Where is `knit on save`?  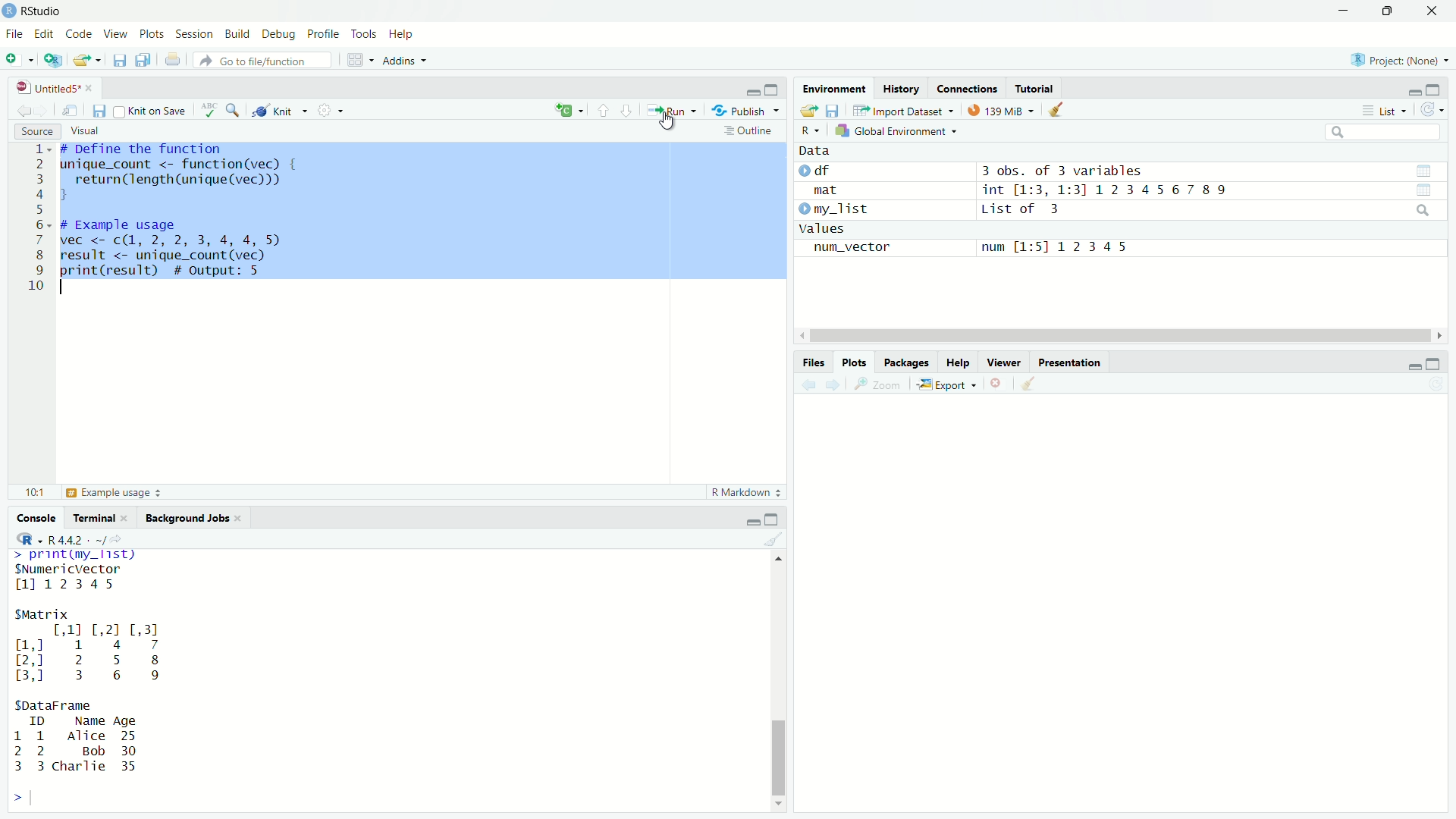
knit on save is located at coordinates (153, 111).